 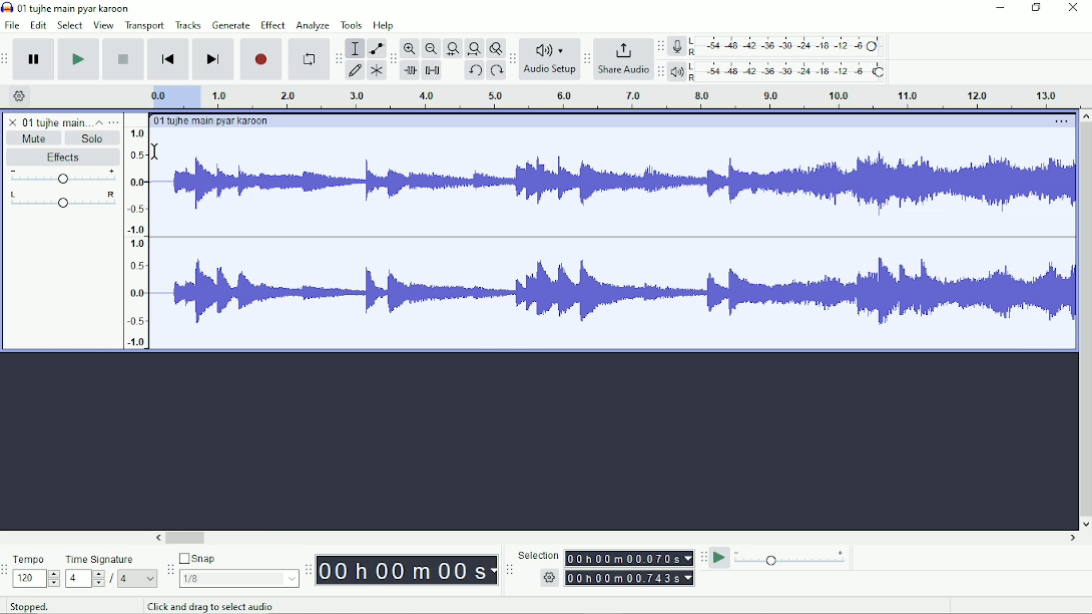 I want to click on Generate, so click(x=231, y=25).